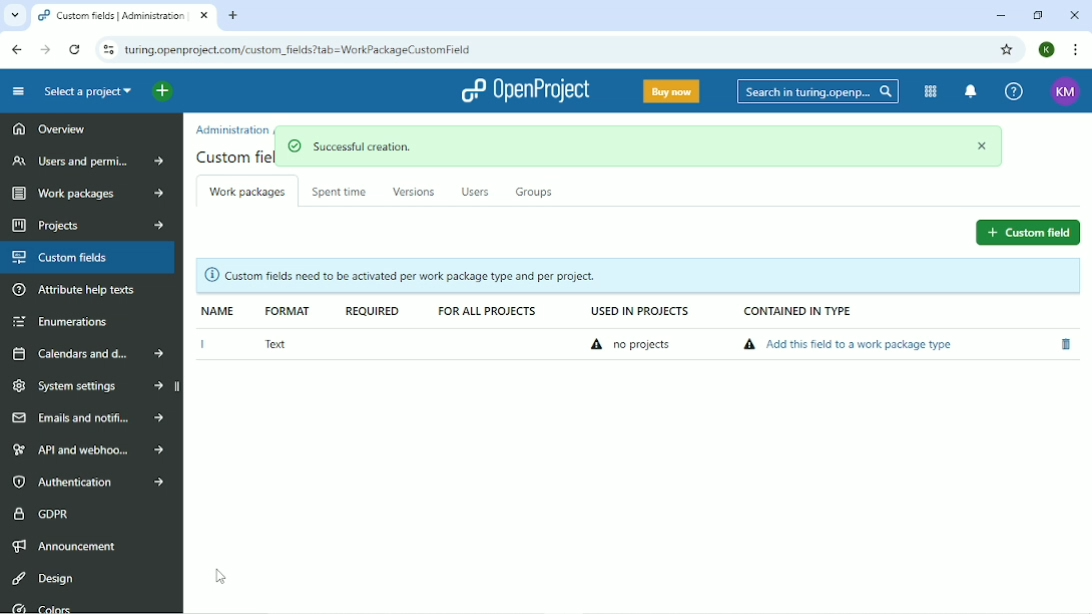  What do you see at coordinates (125, 17) in the screenshot?
I see `New custom field | Administration` at bounding box center [125, 17].